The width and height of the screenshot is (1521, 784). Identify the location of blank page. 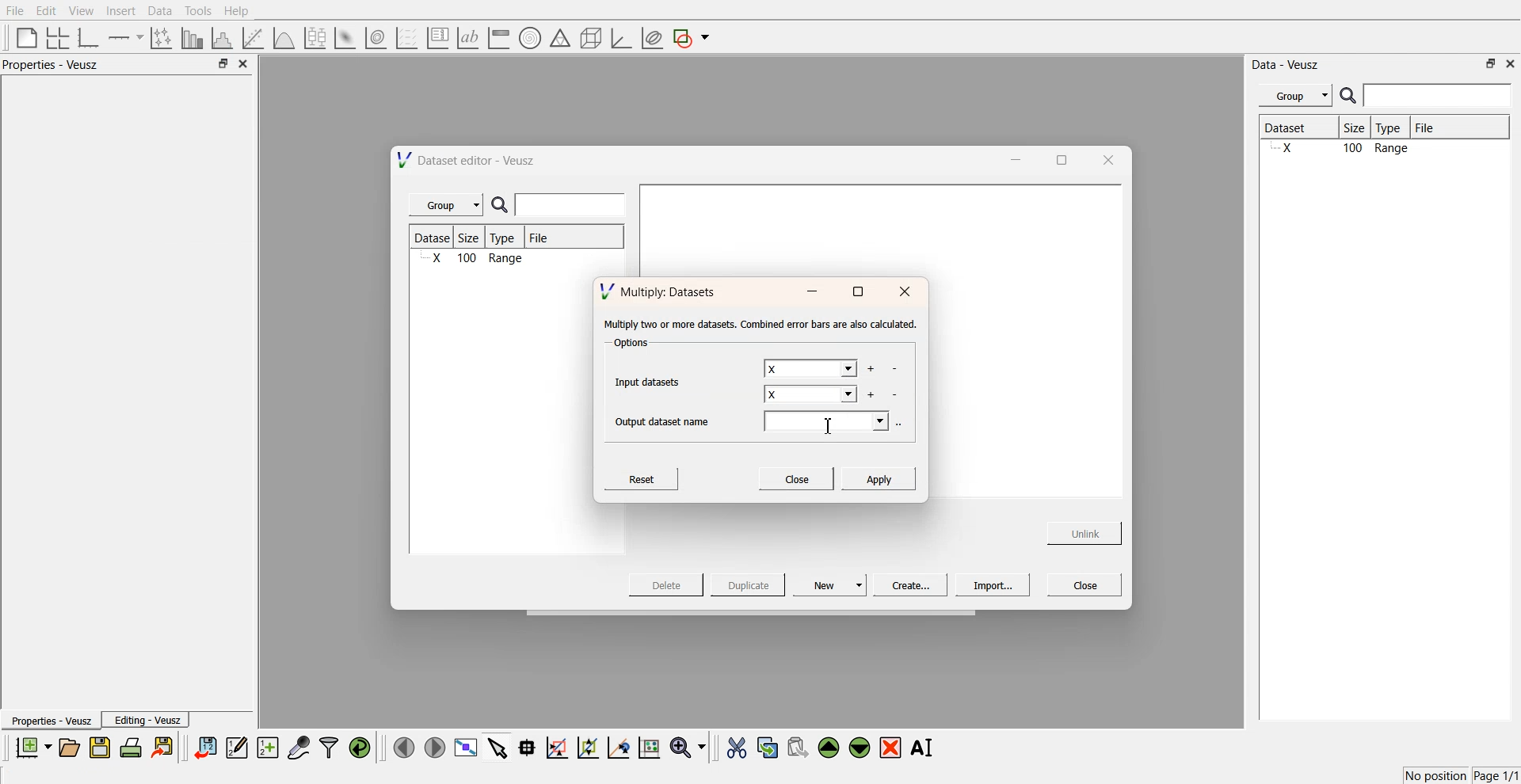
(23, 36).